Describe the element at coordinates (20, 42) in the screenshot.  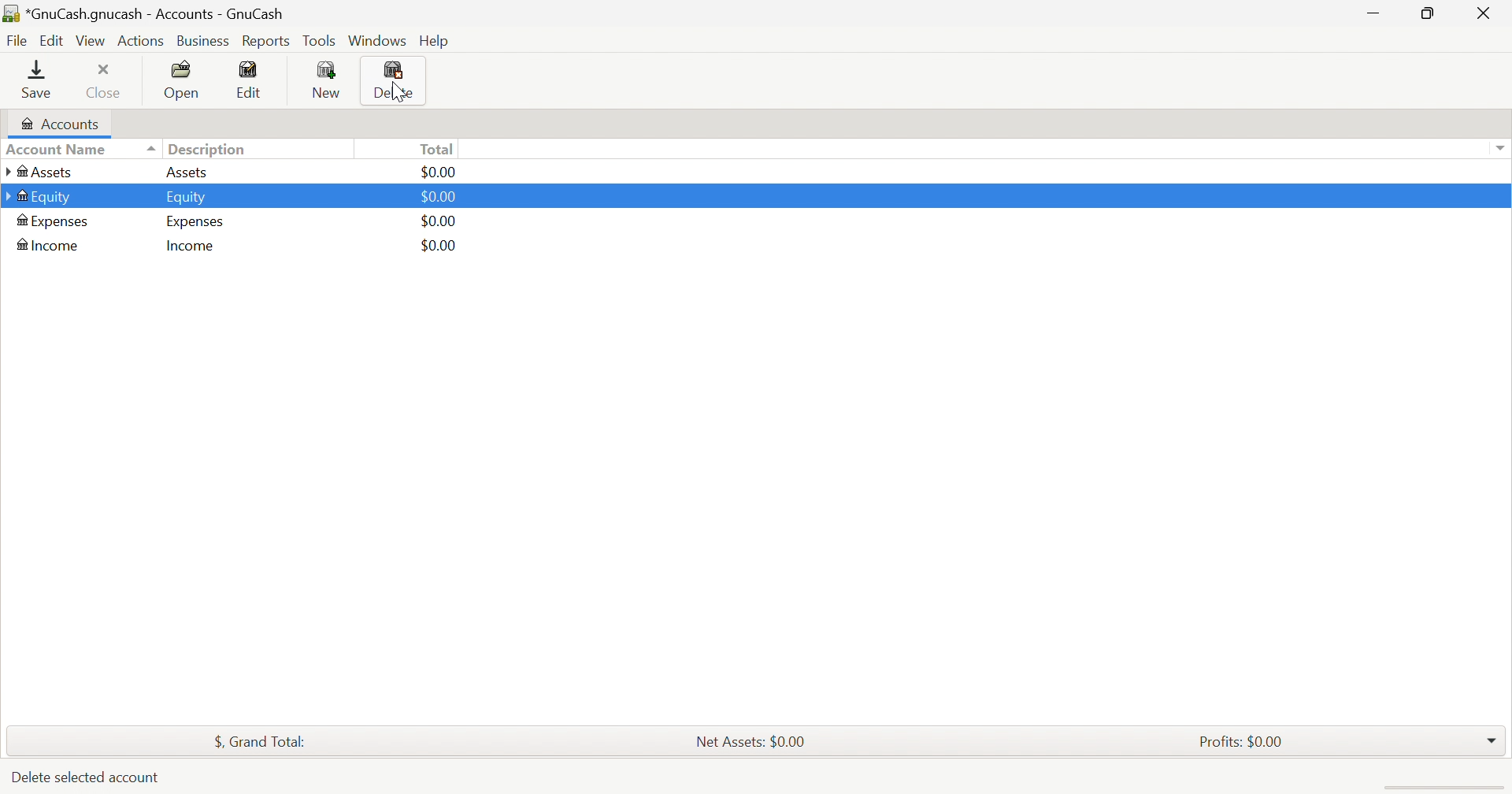
I see `File` at that location.